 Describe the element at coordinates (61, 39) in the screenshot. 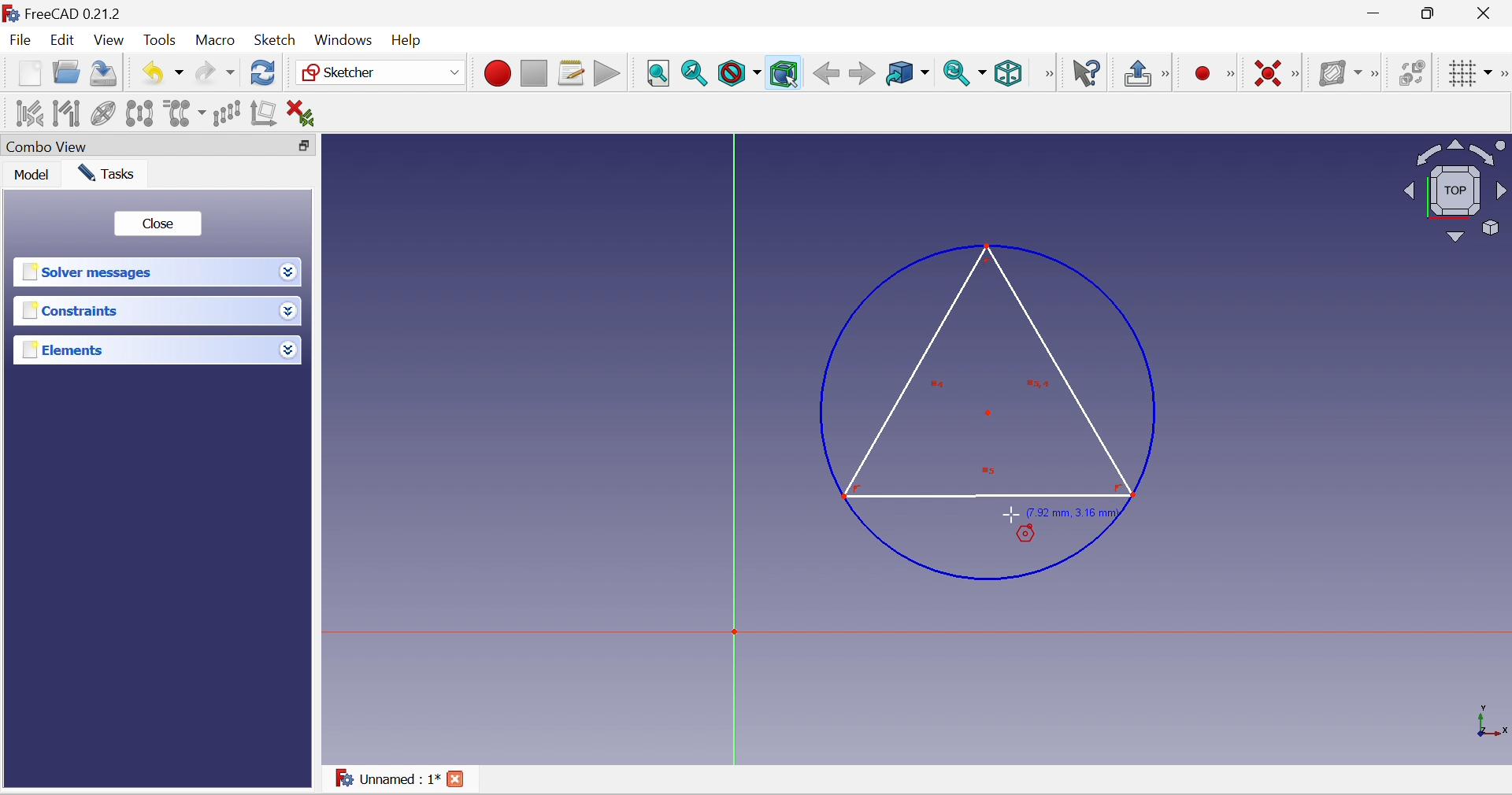

I see `Edit` at that location.